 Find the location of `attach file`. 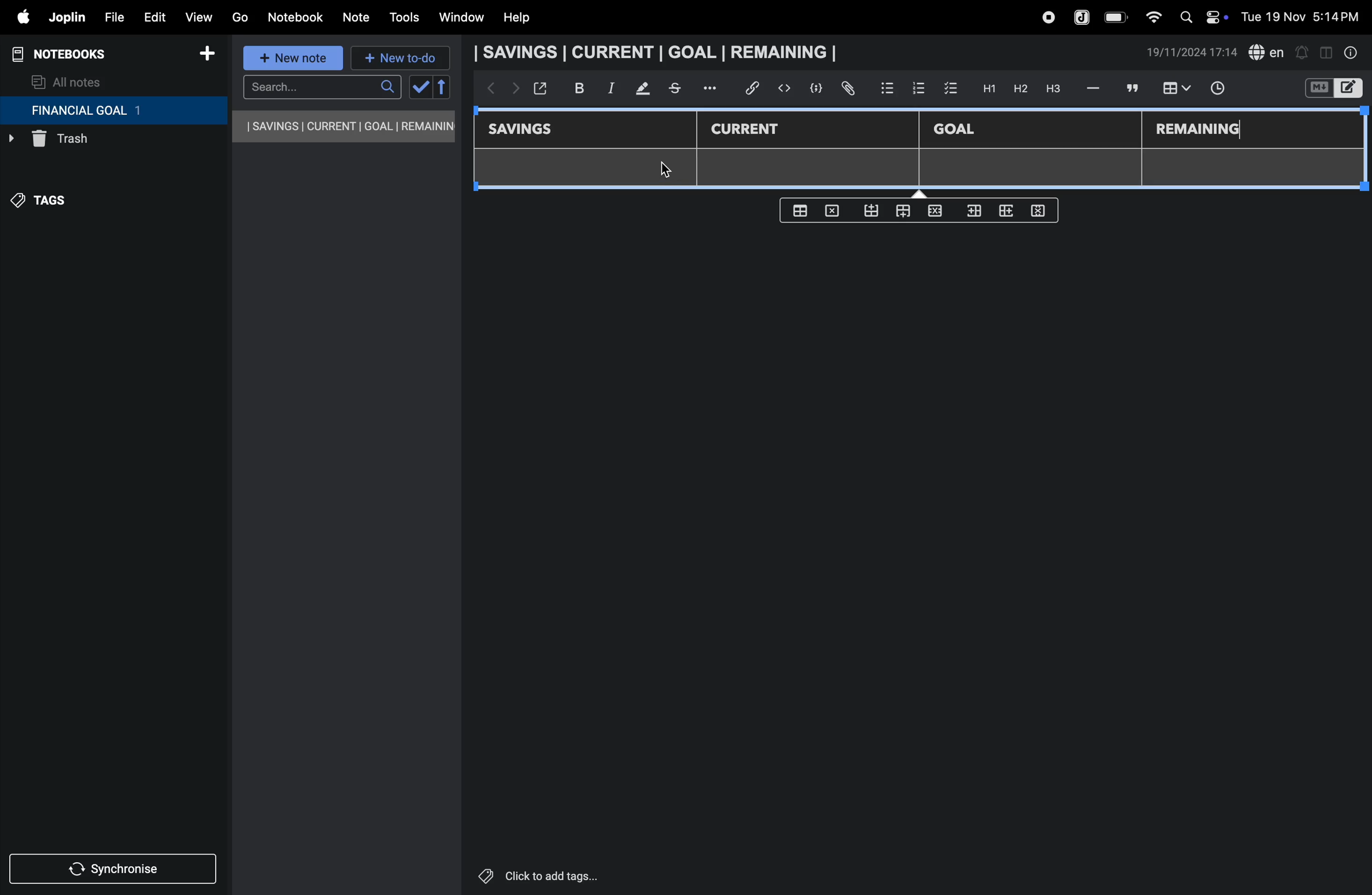

attach file is located at coordinates (847, 89).